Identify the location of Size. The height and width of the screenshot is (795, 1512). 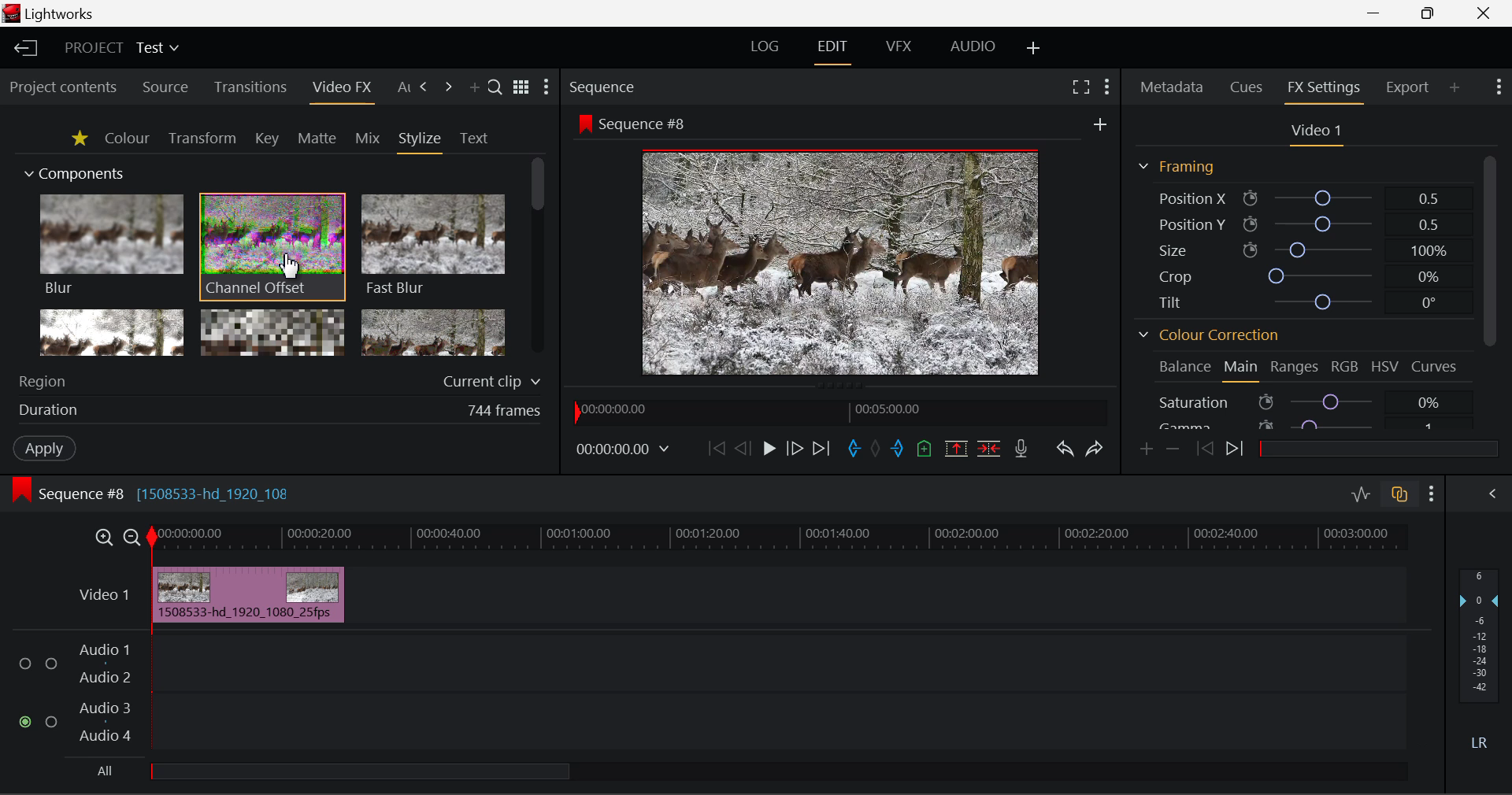
(1300, 249).